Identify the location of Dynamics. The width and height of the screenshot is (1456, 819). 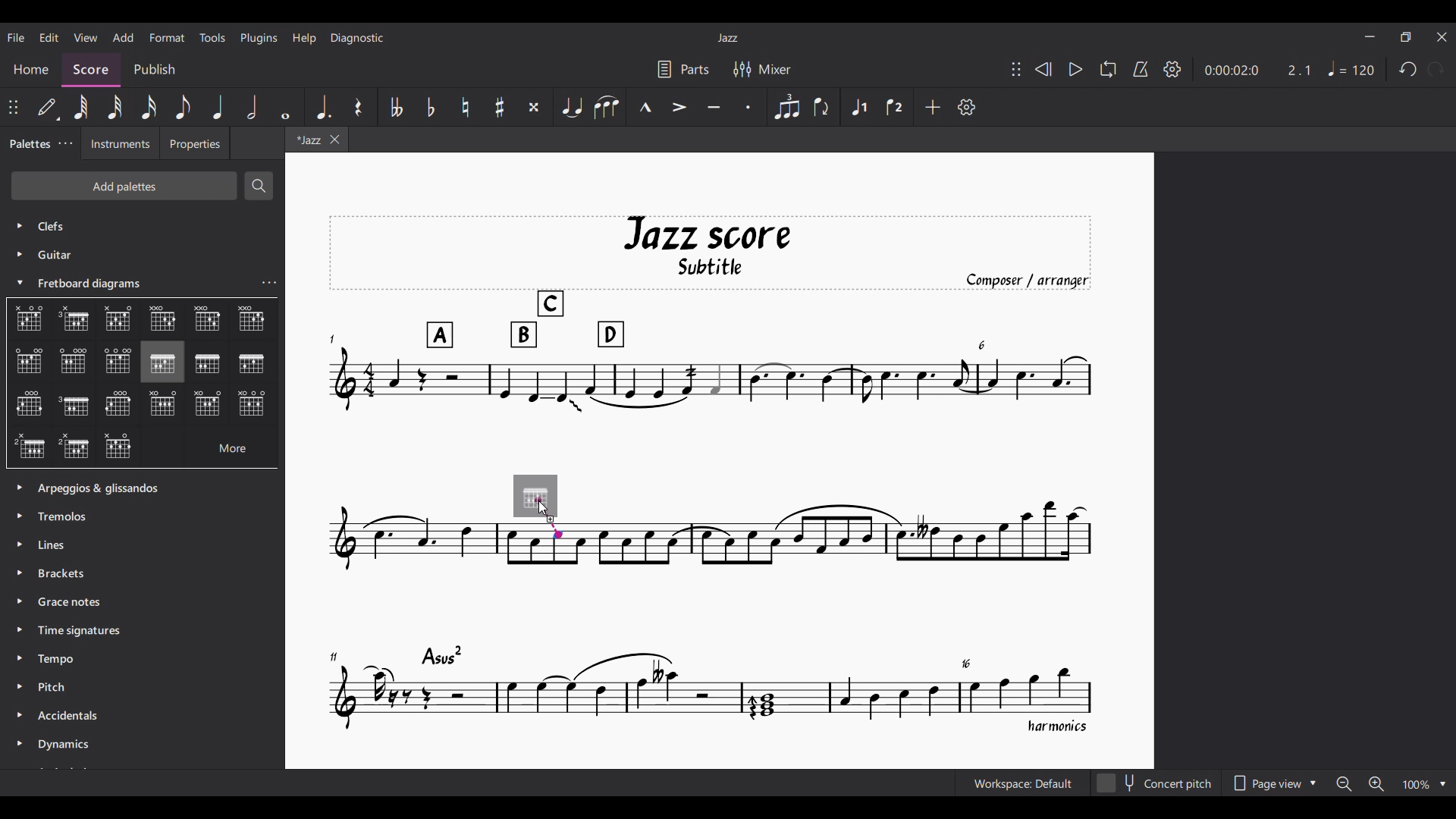
(86, 745).